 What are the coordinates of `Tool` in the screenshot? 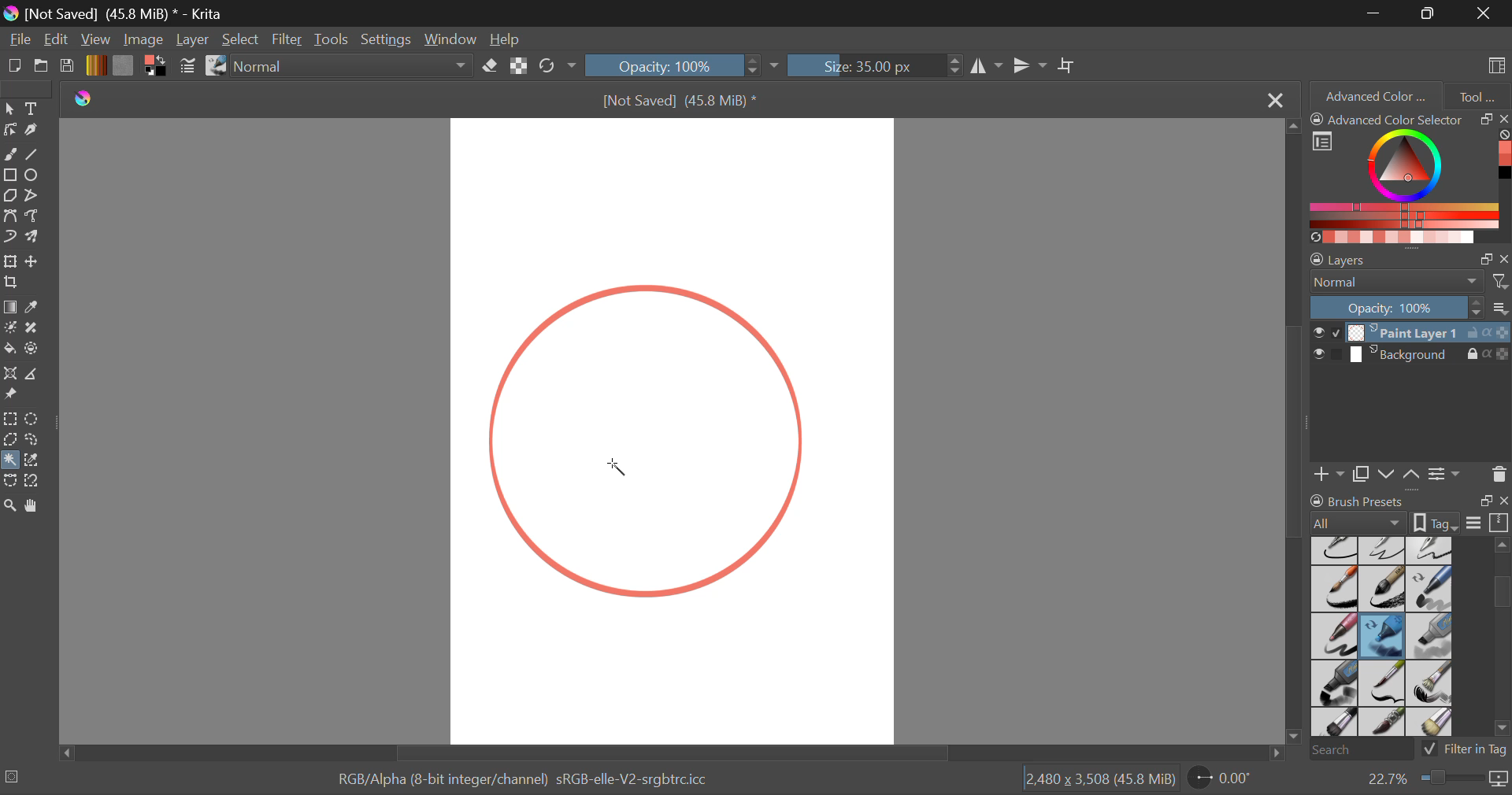 It's located at (1477, 94).